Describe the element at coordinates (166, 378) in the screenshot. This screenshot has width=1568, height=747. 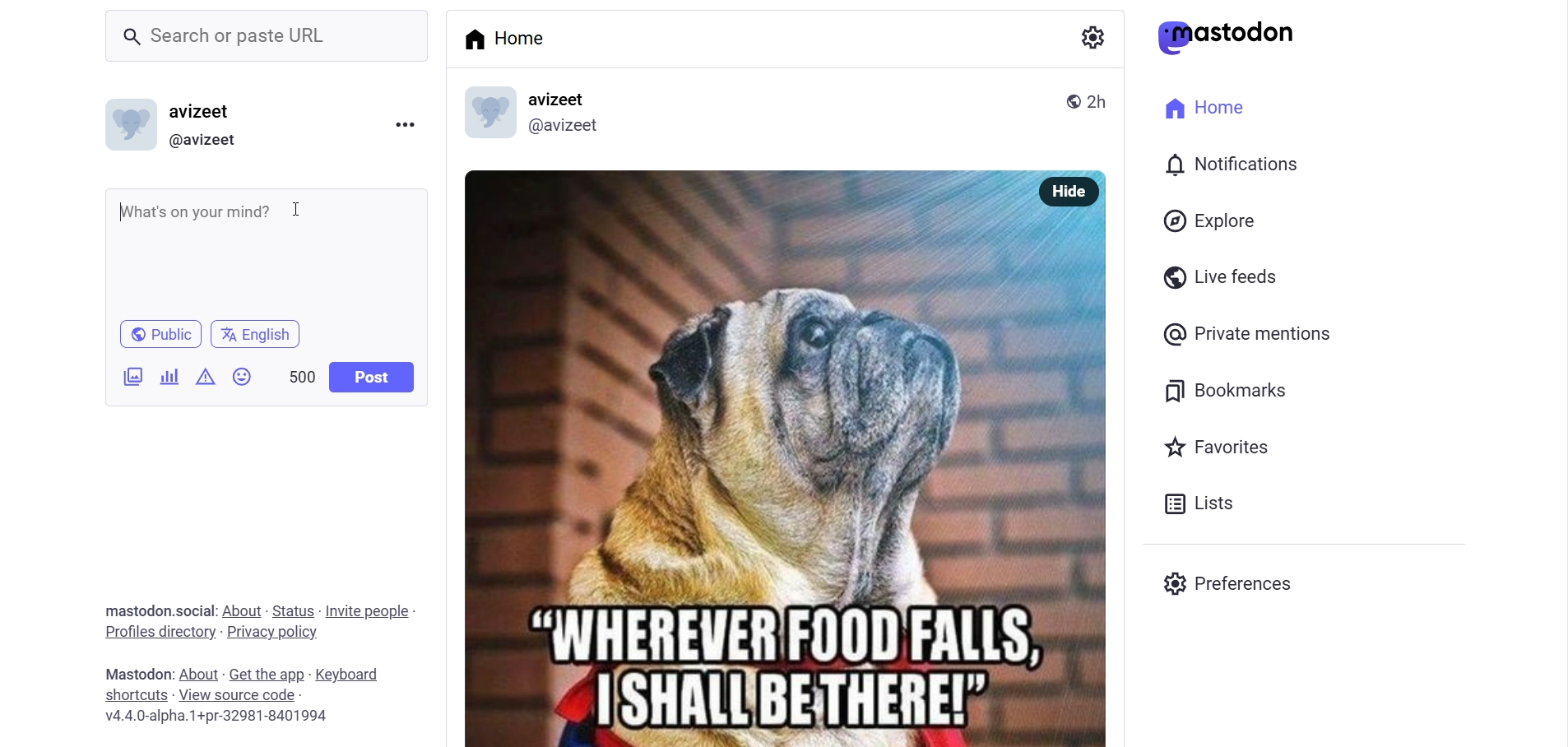
I see `poll` at that location.